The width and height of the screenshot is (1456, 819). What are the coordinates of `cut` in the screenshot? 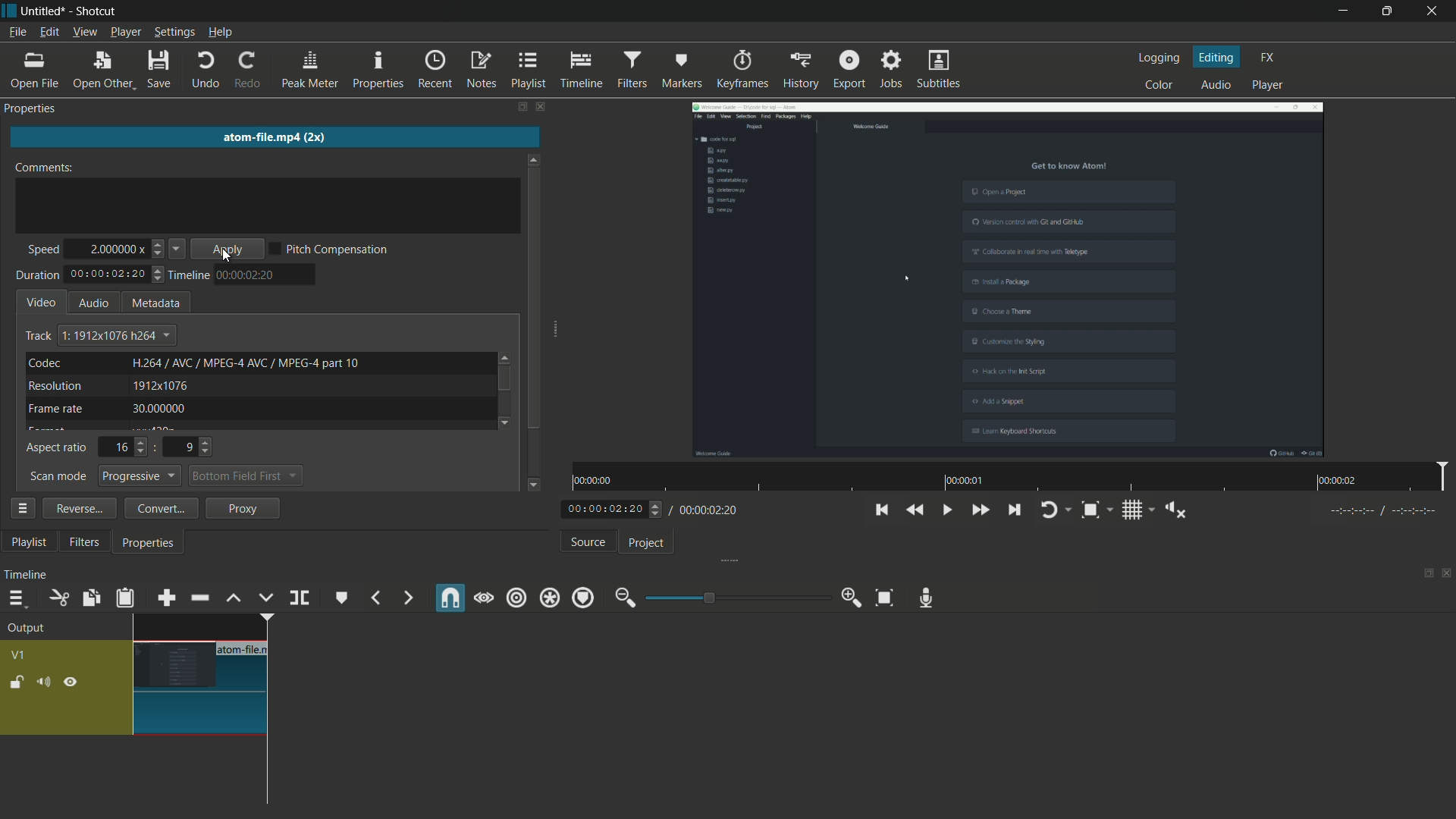 It's located at (56, 598).